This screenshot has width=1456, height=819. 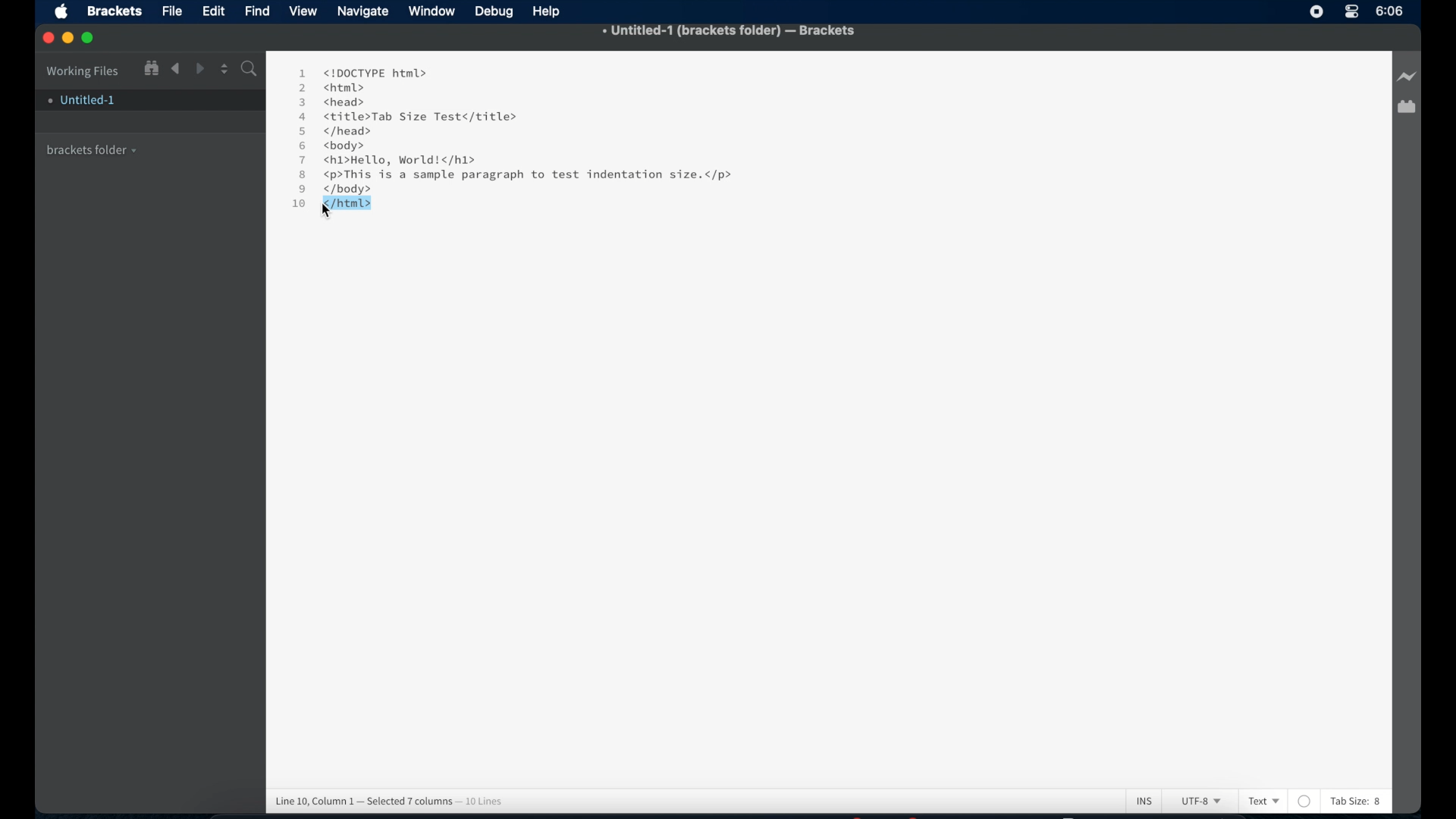 I want to click on 7 <h1>Hello, World!</h1>, so click(x=390, y=160).